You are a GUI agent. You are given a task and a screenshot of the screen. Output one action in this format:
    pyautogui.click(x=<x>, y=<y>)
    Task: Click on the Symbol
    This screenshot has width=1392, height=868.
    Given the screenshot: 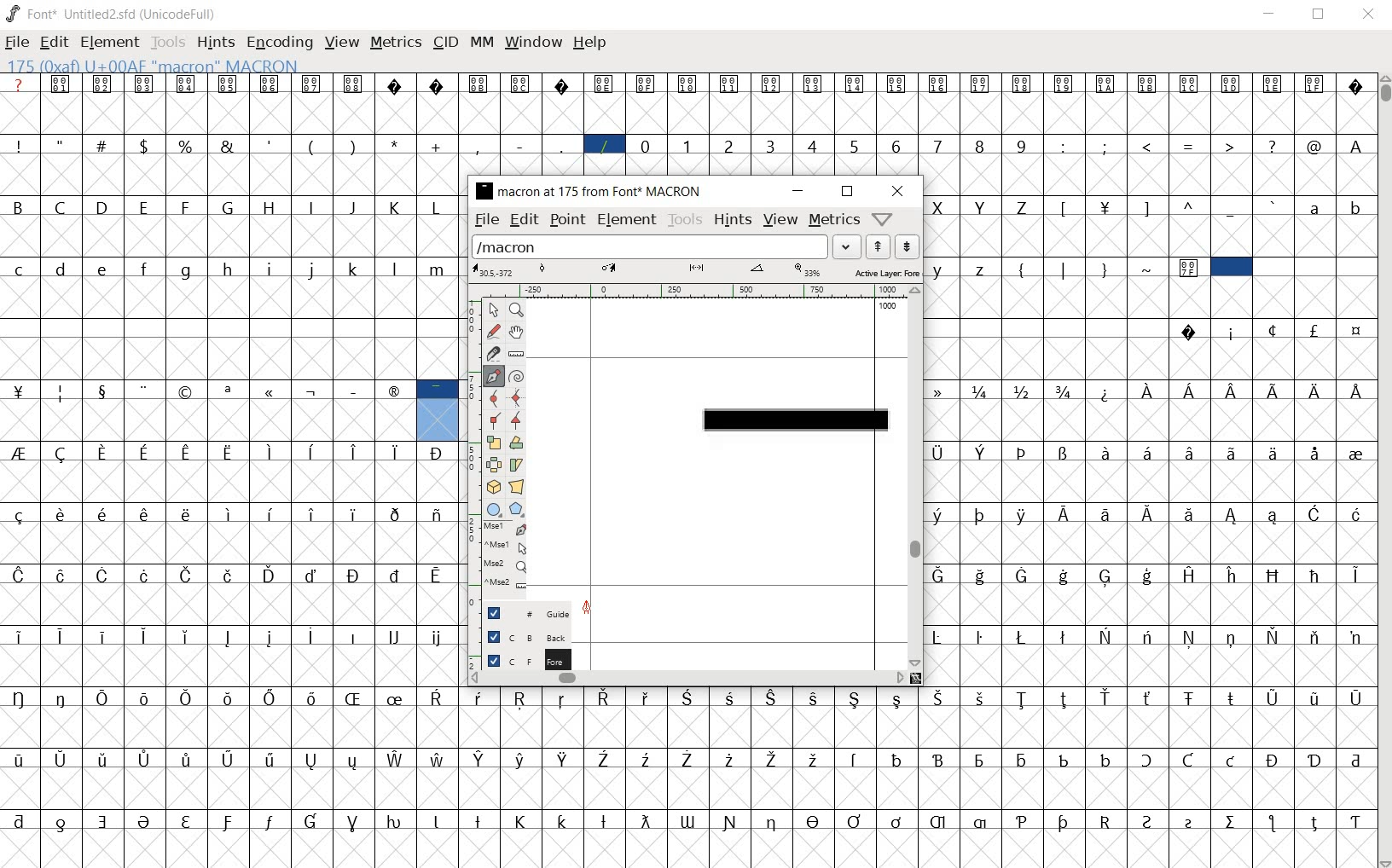 What is the action you would take?
    pyautogui.click(x=1191, y=85)
    